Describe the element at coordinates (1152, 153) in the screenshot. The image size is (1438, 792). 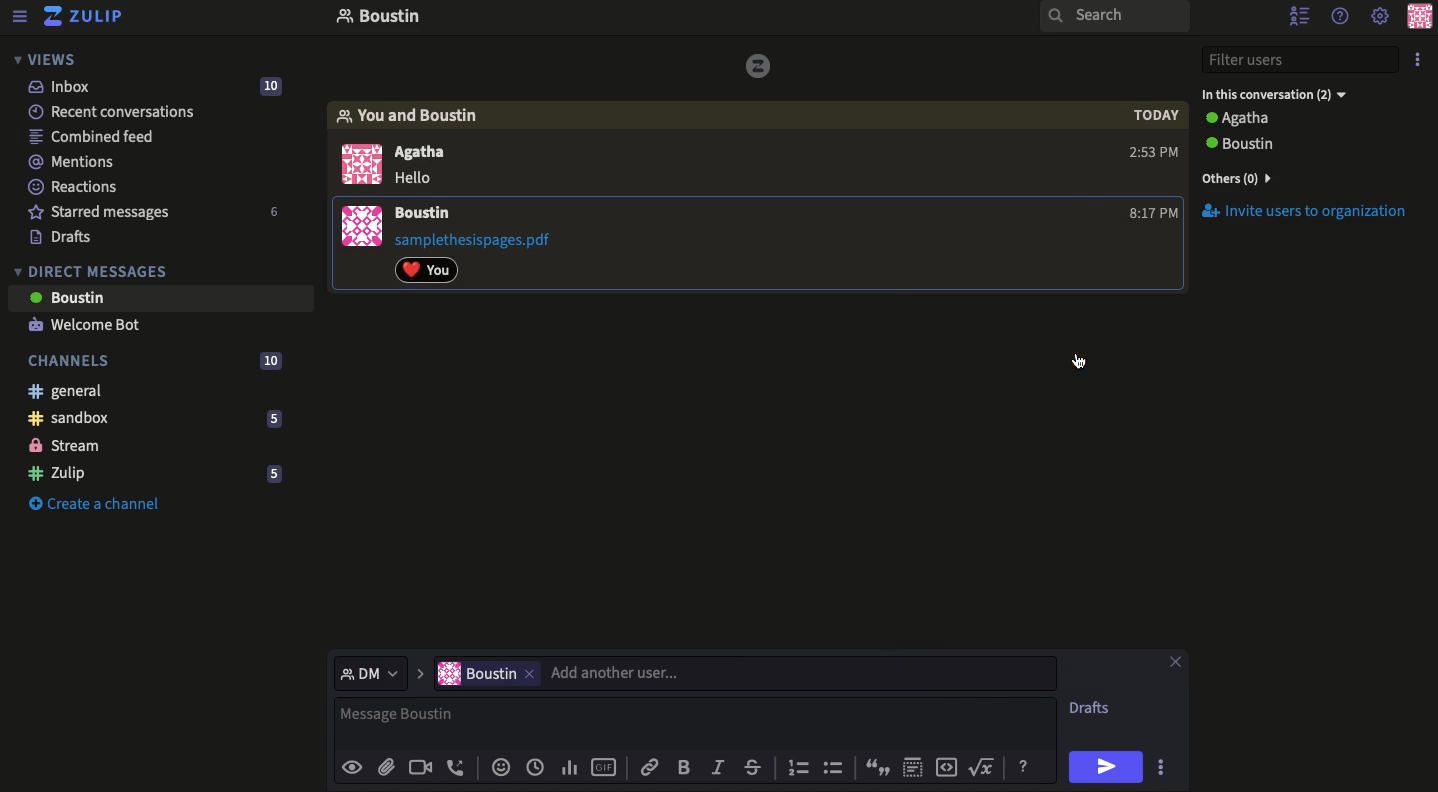
I see `2:53 PM` at that location.